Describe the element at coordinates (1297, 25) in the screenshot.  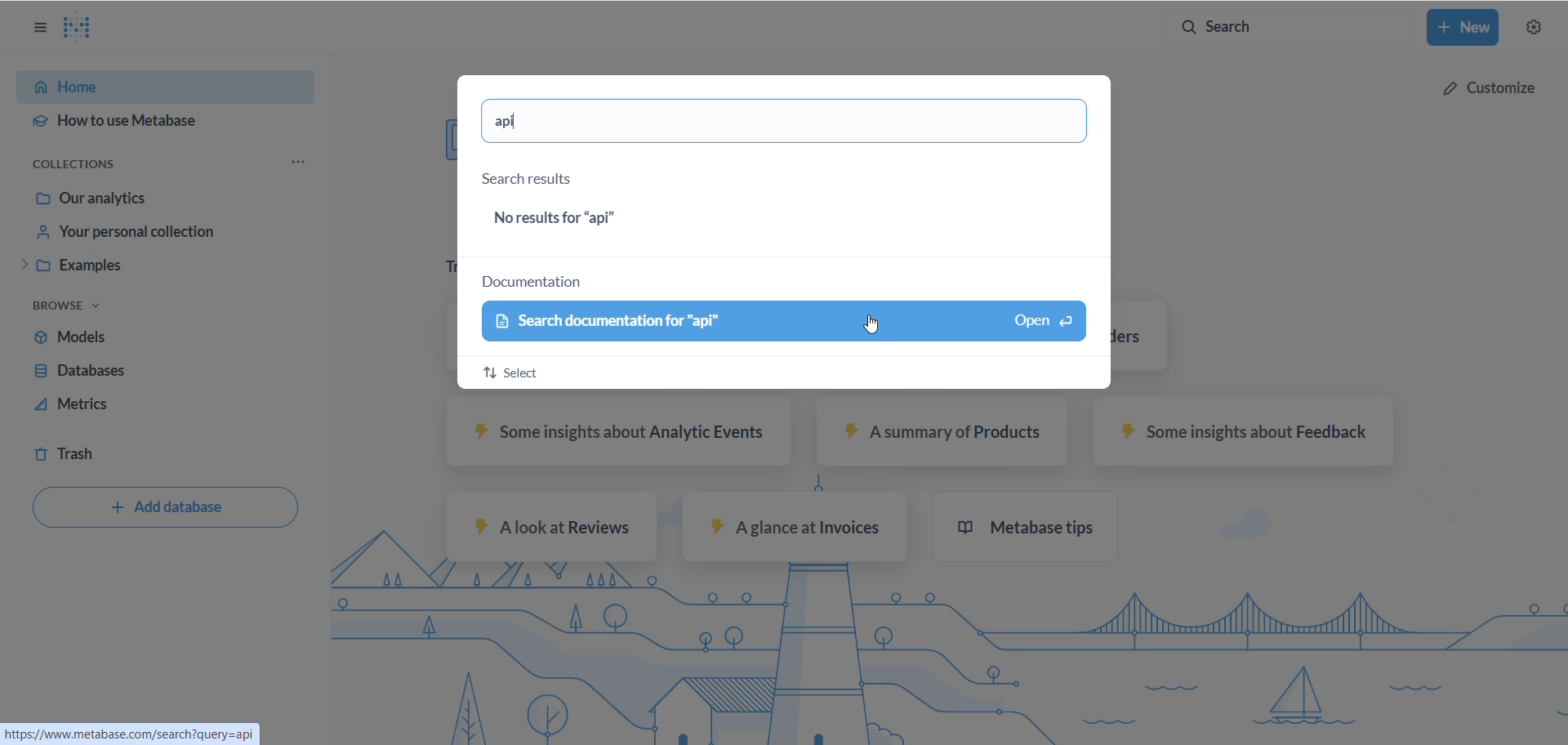
I see `search button` at that location.